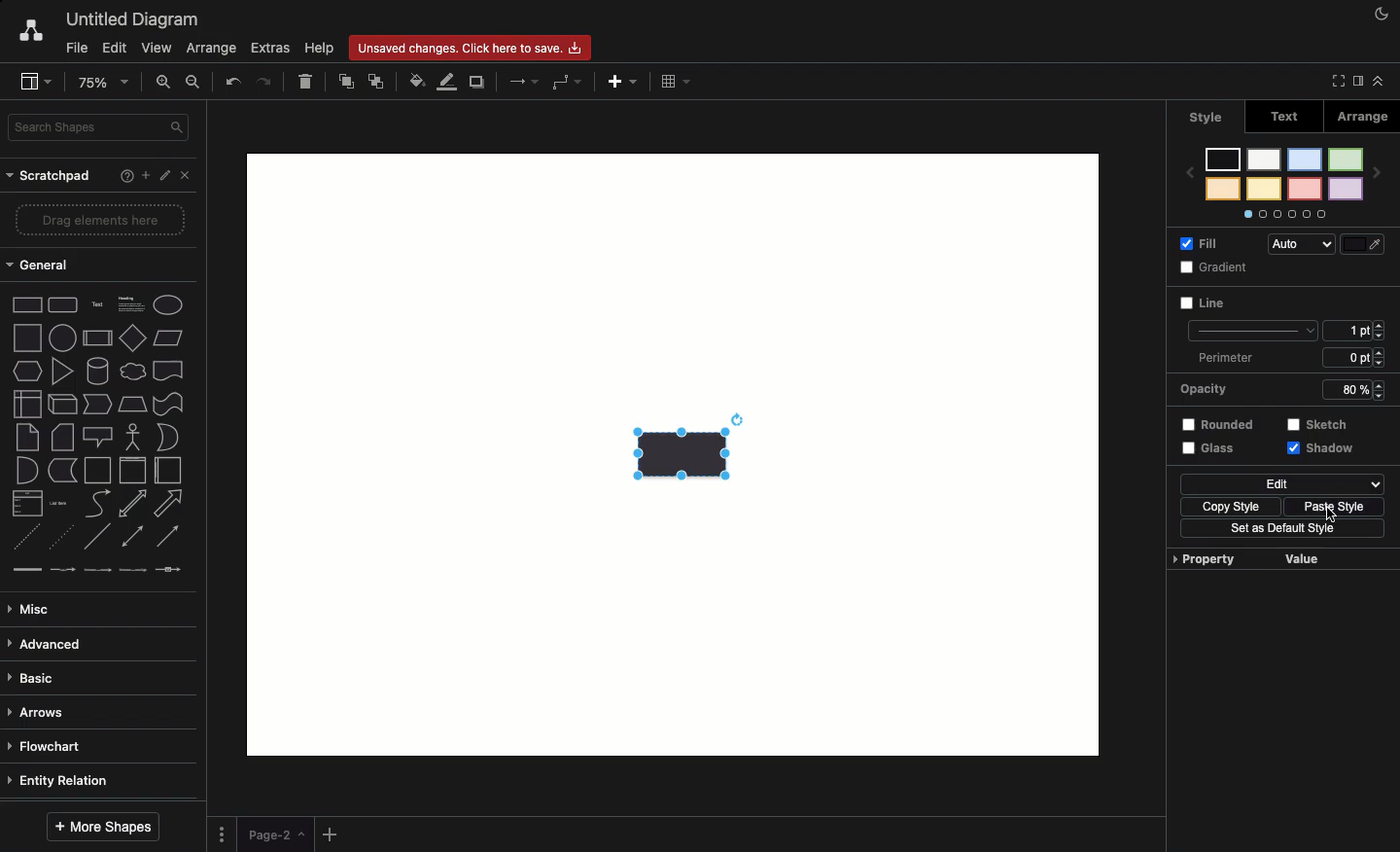 The width and height of the screenshot is (1400, 852). What do you see at coordinates (266, 85) in the screenshot?
I see `Redo` at bounding box center [266, 85].